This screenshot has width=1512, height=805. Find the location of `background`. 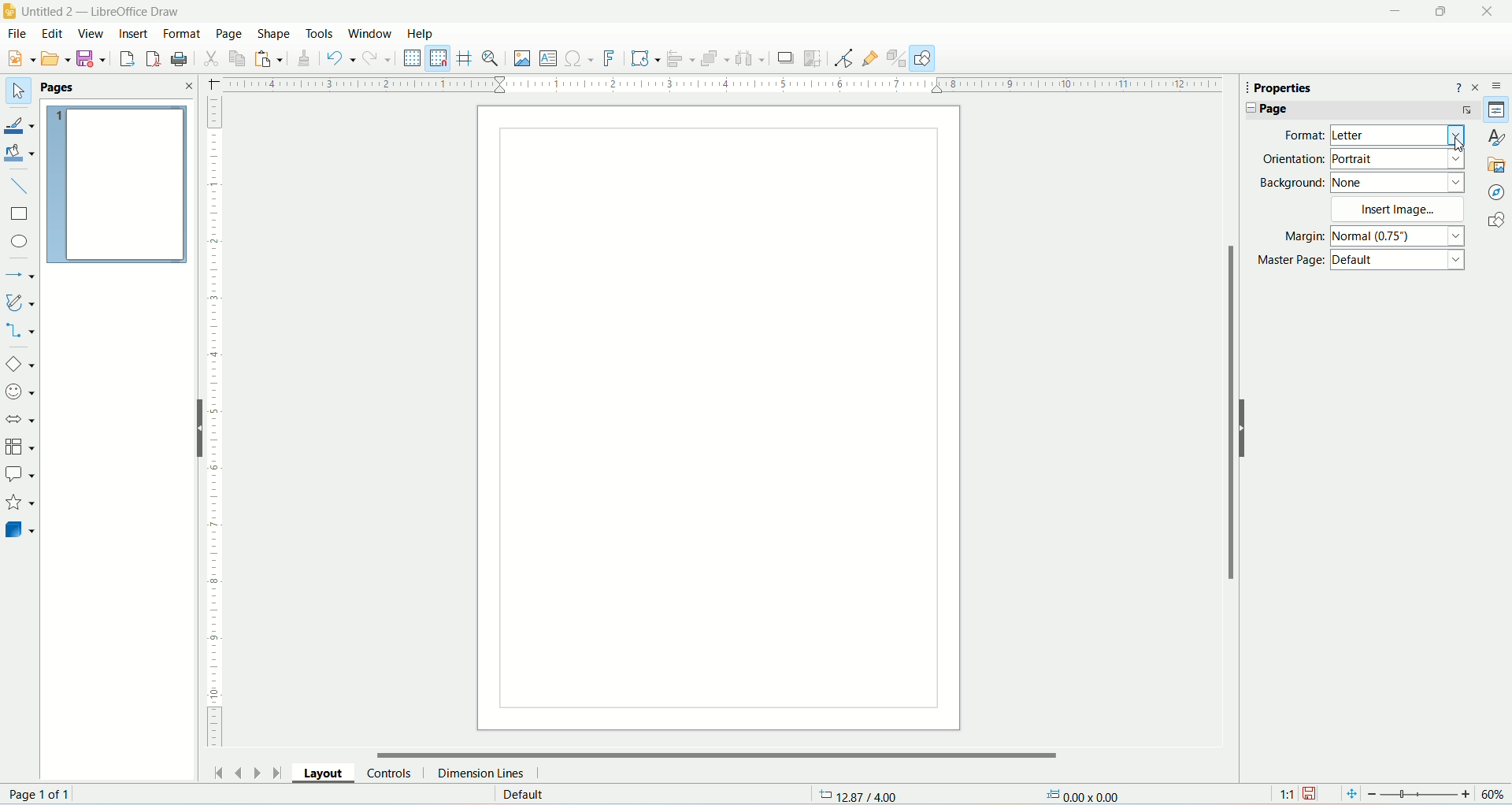

background is located at coordinates (1362, 183).